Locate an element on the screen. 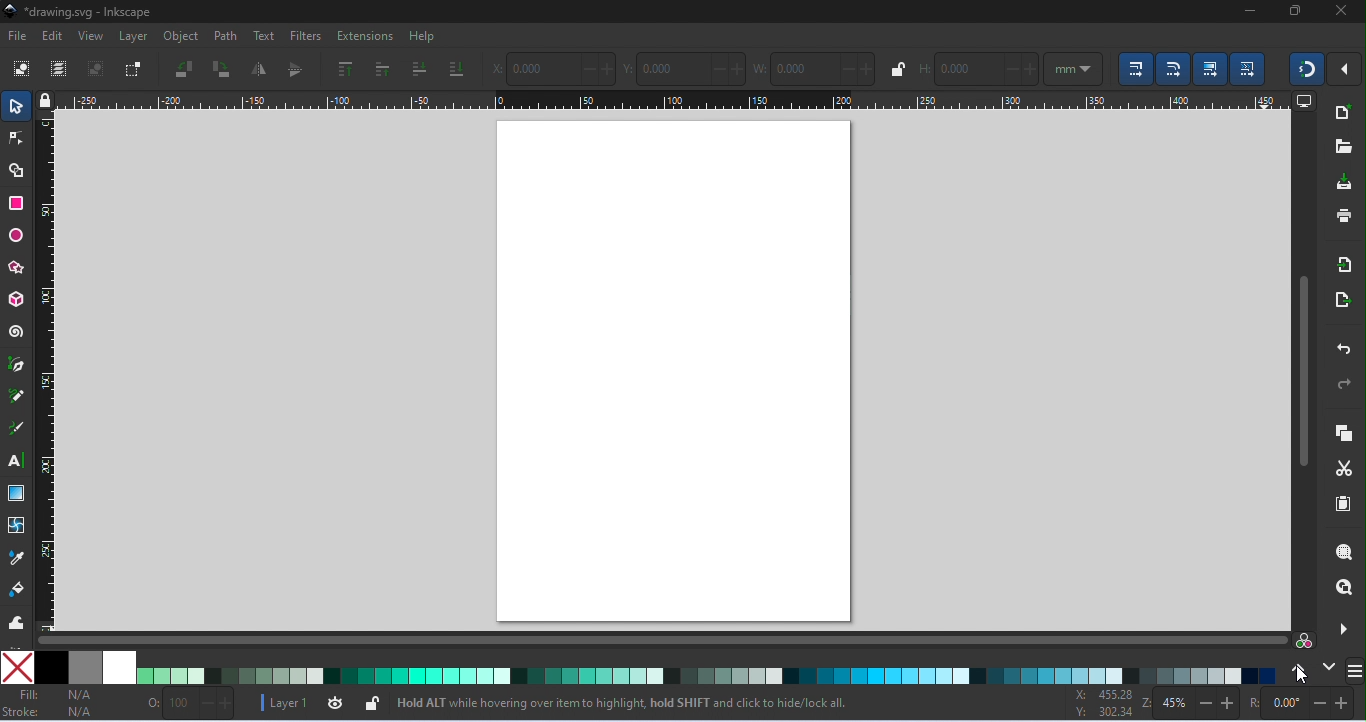 The width and height of the screenshot is (1366, 722). deselect is located at coordinates (95, 69).